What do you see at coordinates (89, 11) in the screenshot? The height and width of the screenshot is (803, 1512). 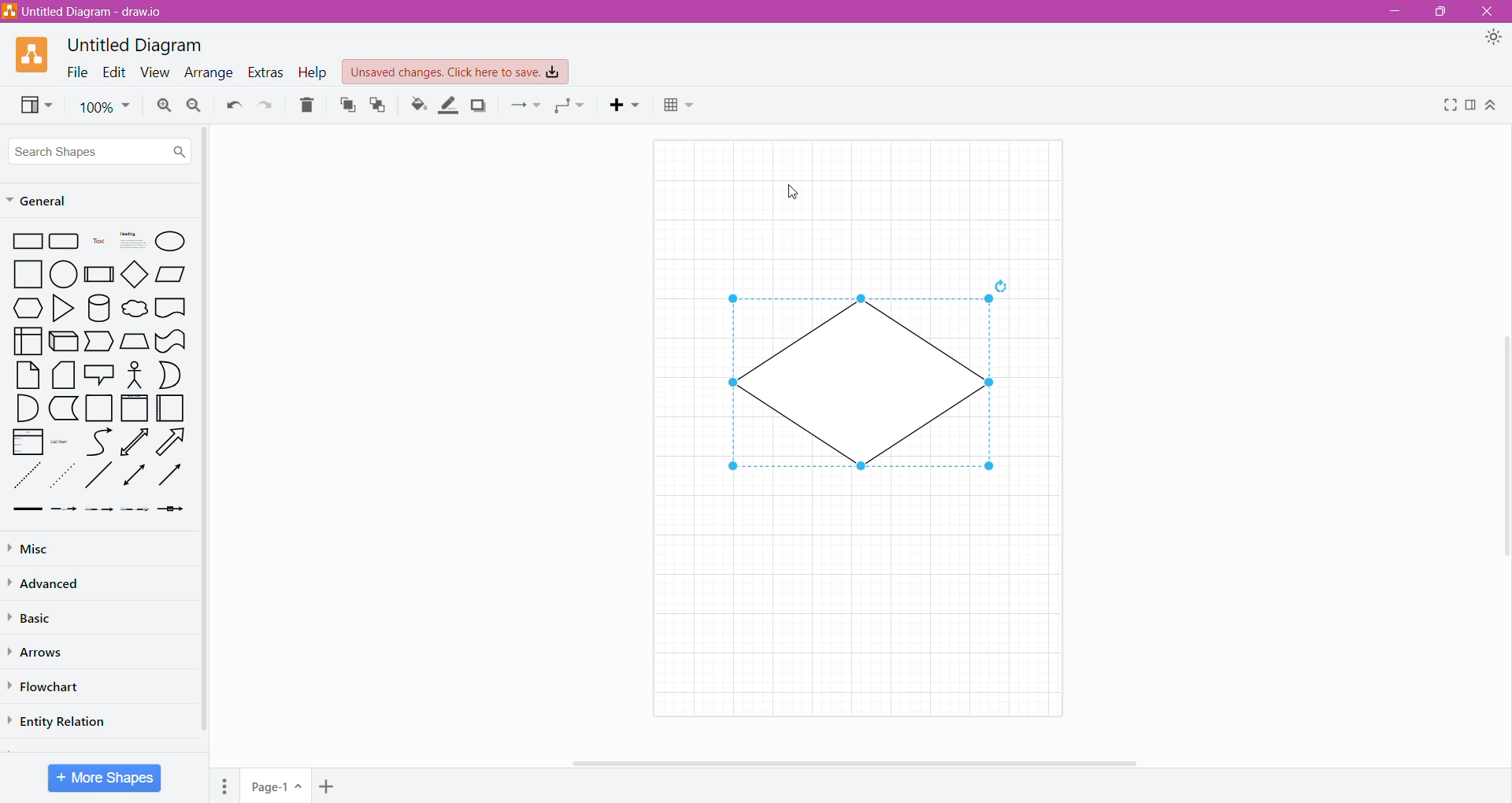 I see `Untitled Diagram - draw.io` at bounding box center [89, 11].